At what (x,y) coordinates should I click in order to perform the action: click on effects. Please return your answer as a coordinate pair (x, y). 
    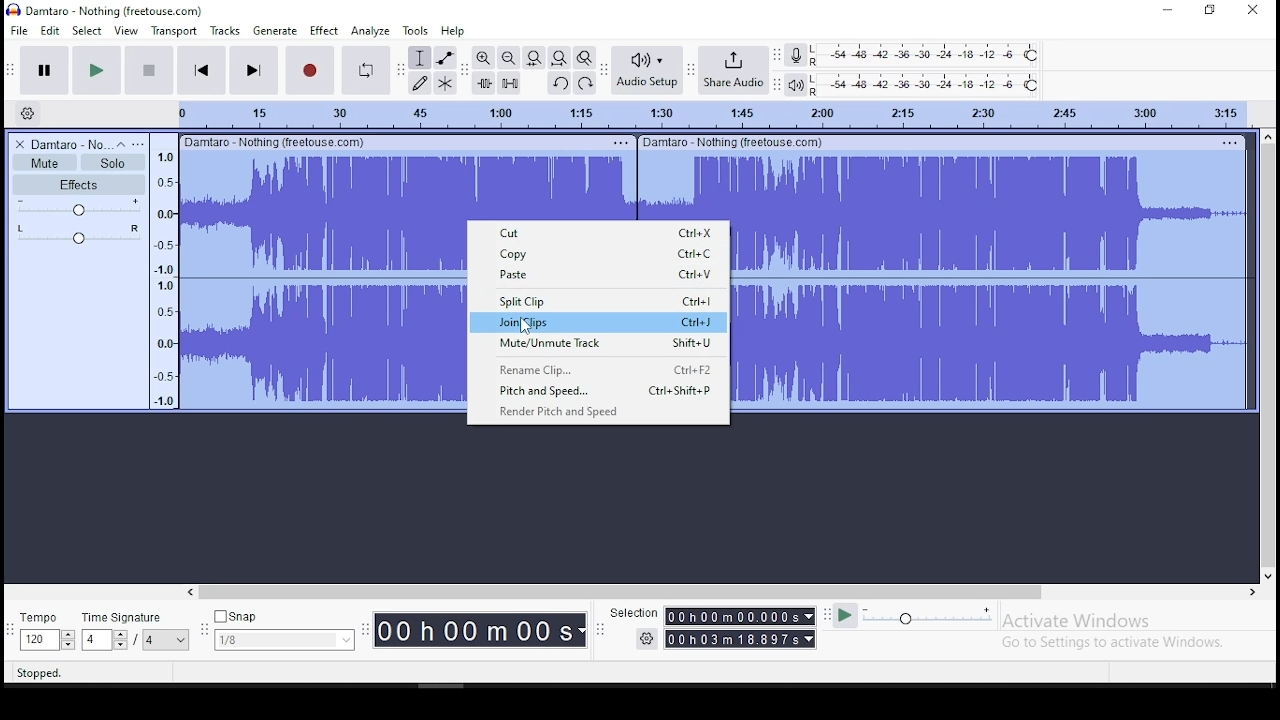
    Looking at the image, I should click on (78, 185).